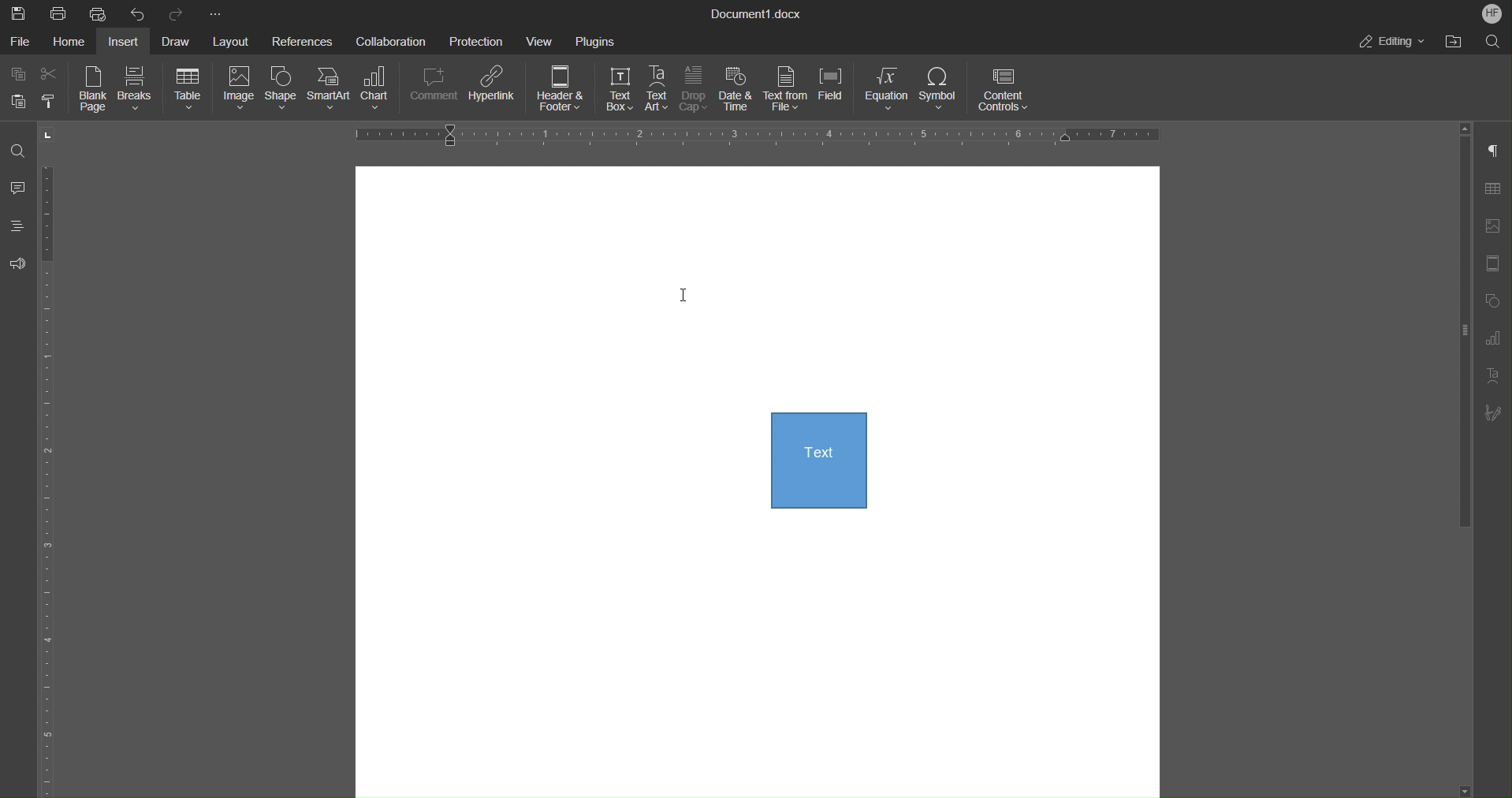 The image size is (1512, 798). What do you see at coordinates (1499, 413) in the screenshot?
I see `Signature` at bounding box center [1499, 413].